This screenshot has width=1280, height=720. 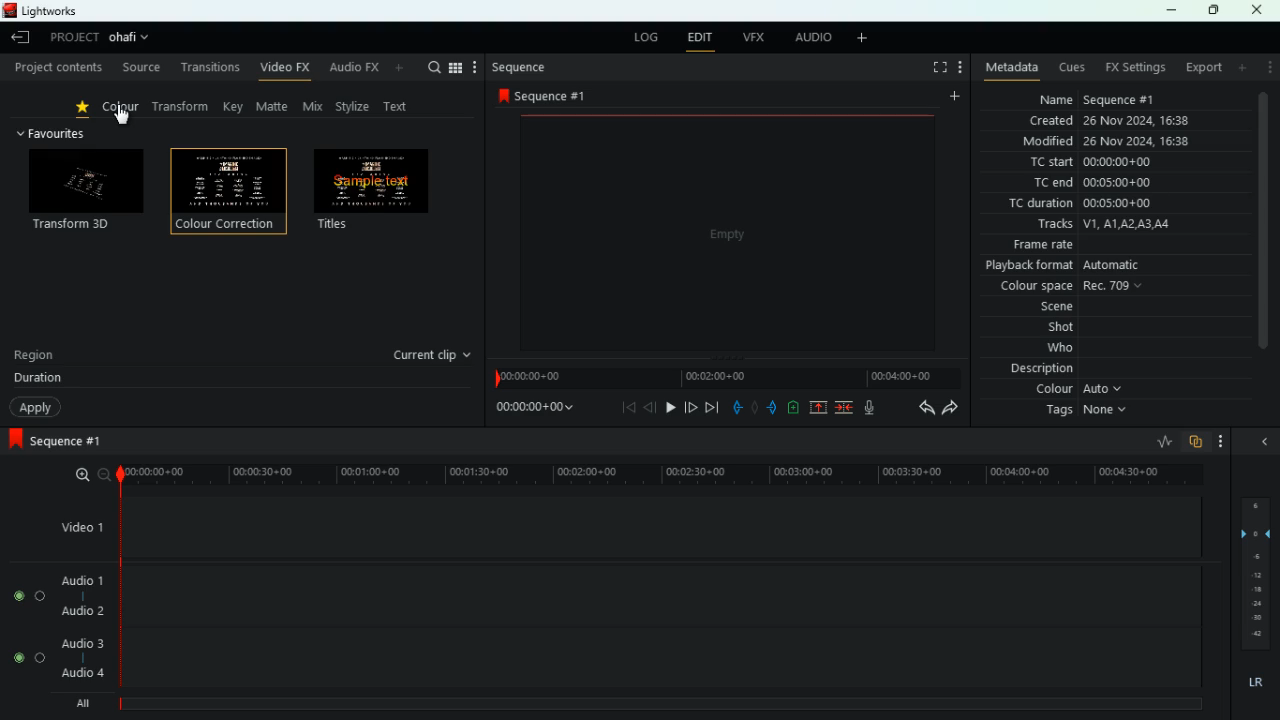 I want to click on time, so click(x=726, y=375).